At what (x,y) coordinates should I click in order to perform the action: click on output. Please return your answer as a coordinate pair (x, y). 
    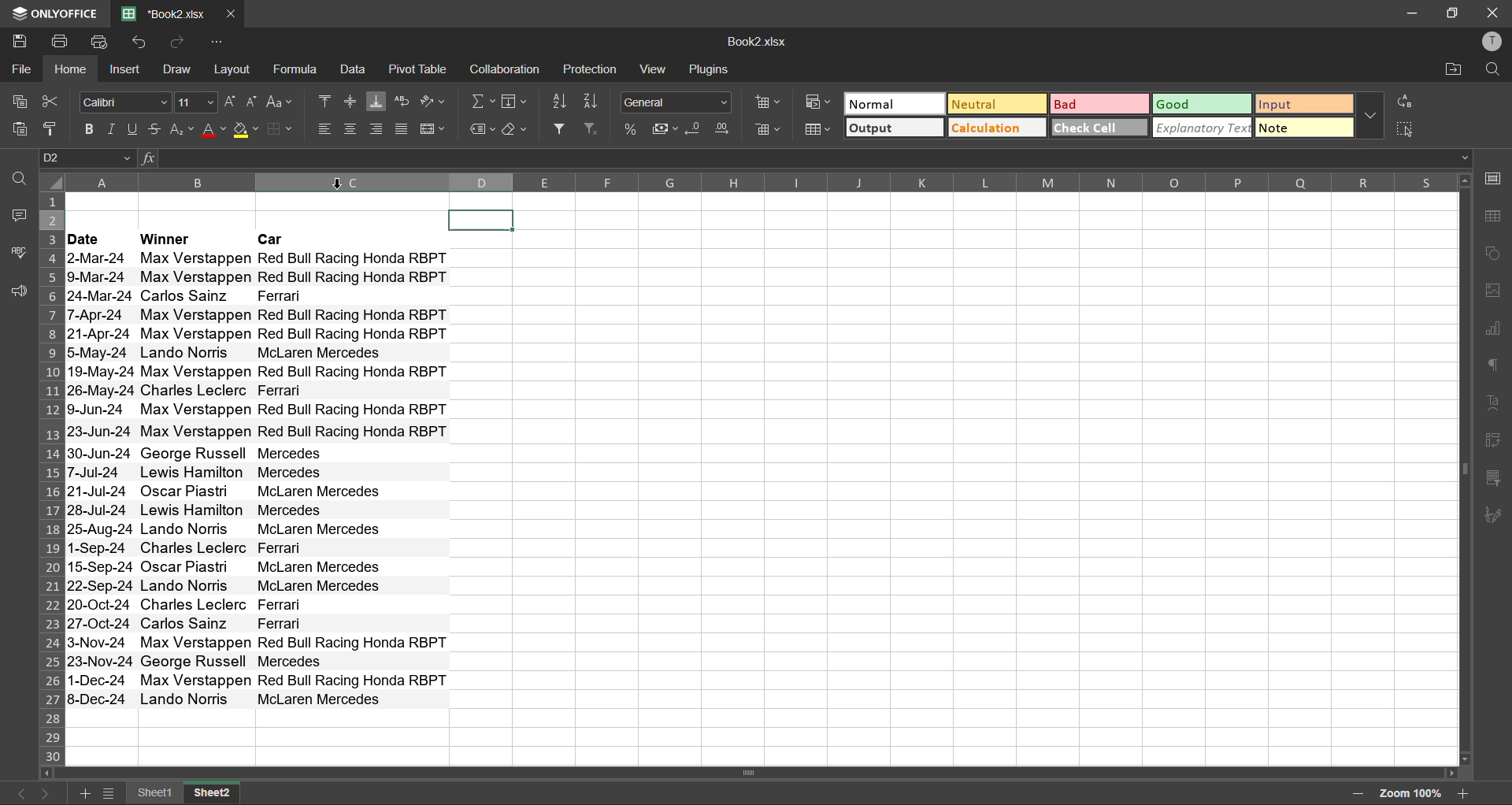
    Looking at the image, I should click on (893, 129).